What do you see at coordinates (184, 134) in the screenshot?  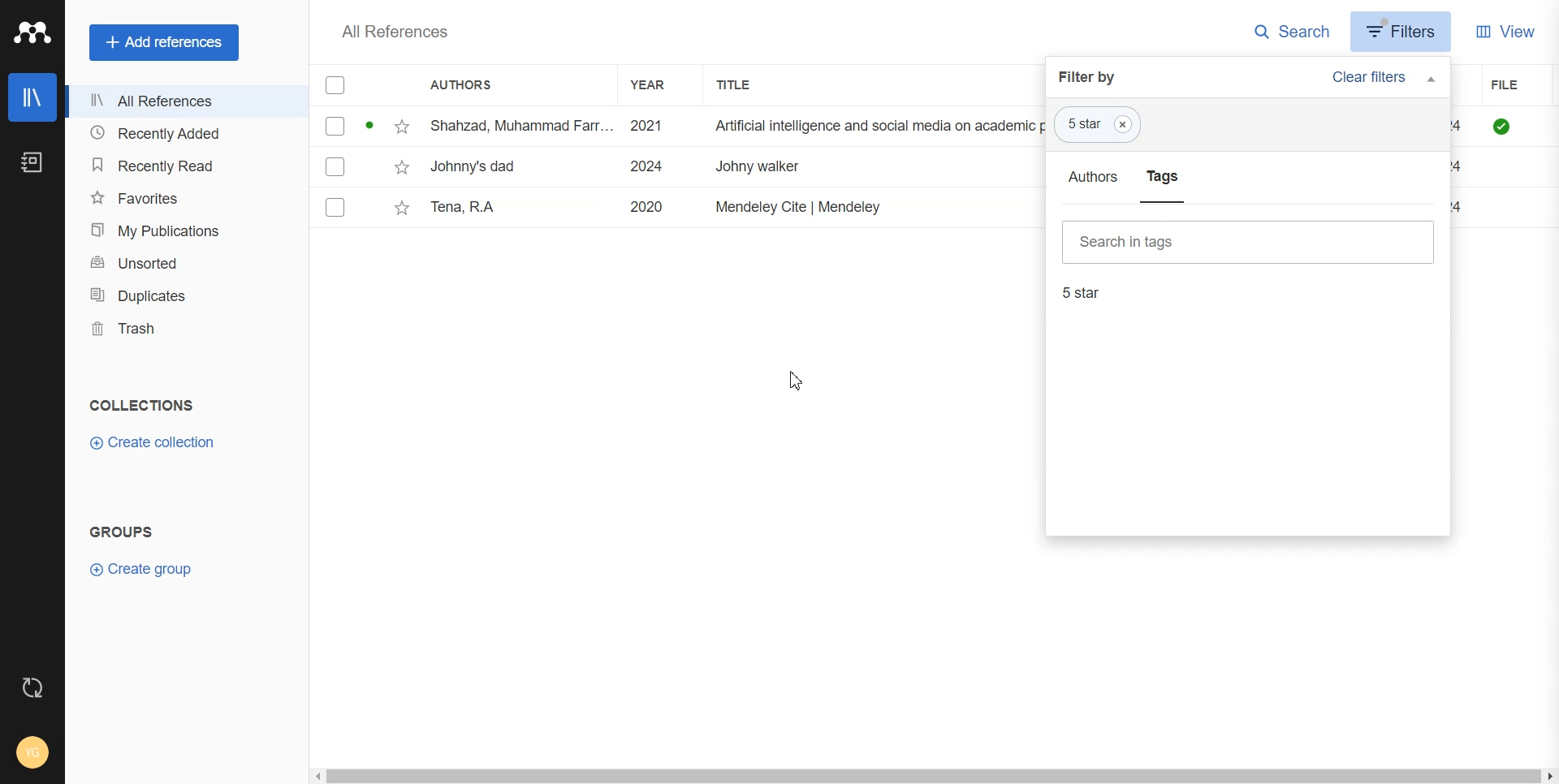 I see `Recently Added` at bounding box center [184, 134].